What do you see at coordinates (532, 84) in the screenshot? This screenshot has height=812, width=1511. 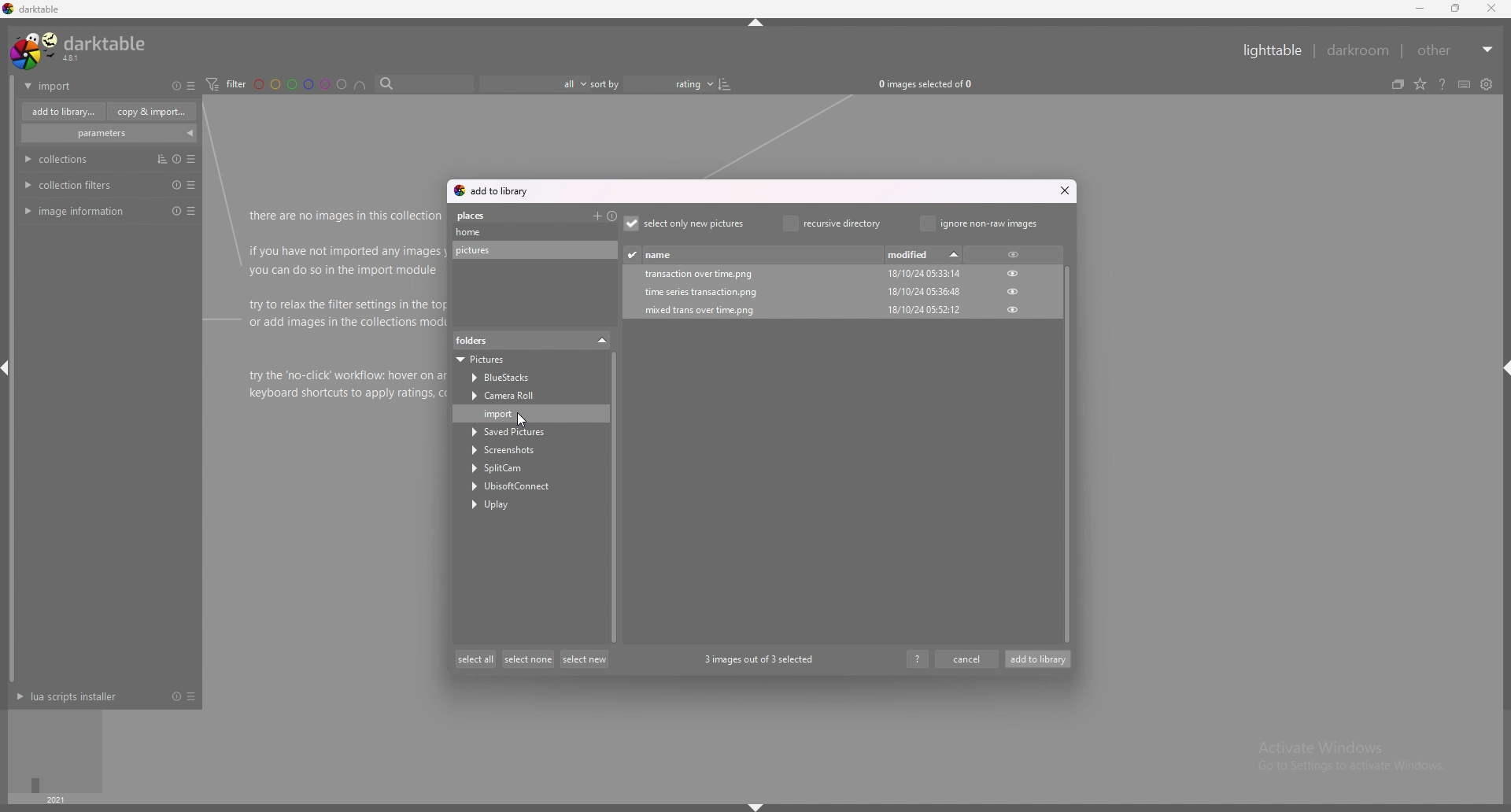 I see `filter by images rating` at bounding box center [532, 84].